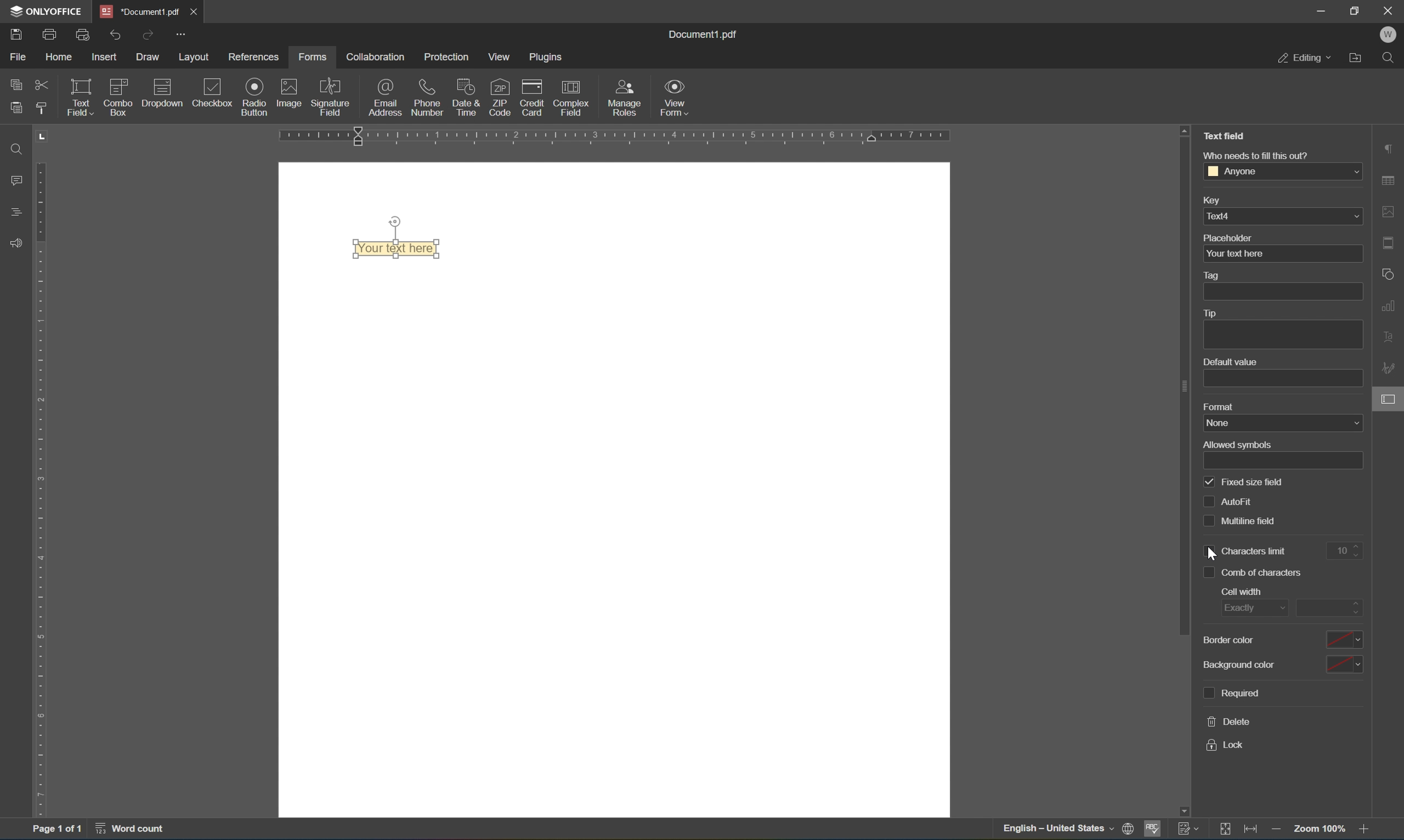 This screenshot has width=1404, height=840. What do you see at coordinates (1392, 243) in the screenshot?
I see `header and footer settings` at bounding box center [1392, 243].